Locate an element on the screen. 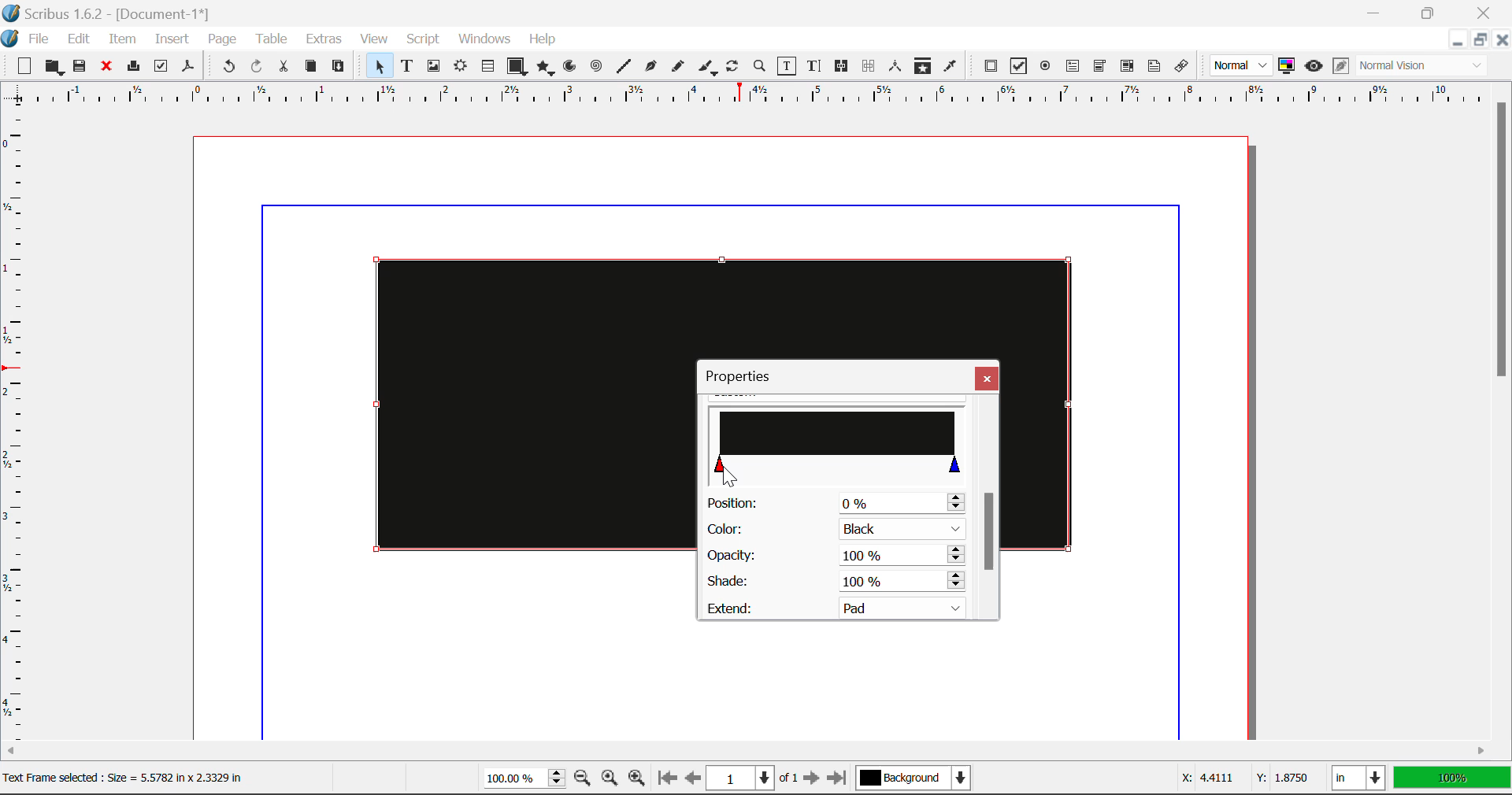  Scribus 1.6.2 - [Document-1%] is located at coordinates (107, 13).